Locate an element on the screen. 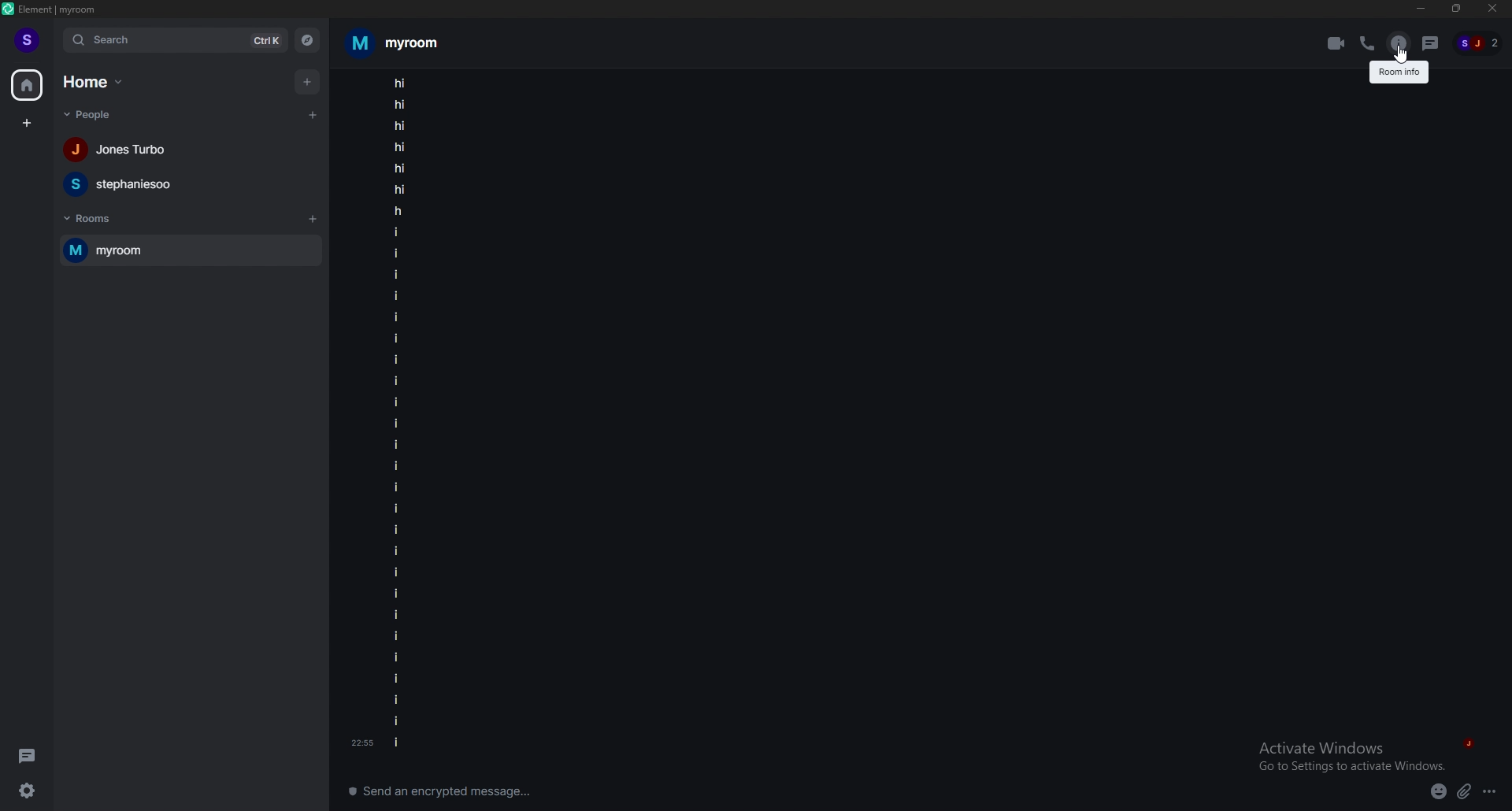 The height and width of the screenshot is (811, 1512). search bar is located at coordinates (176, 39).